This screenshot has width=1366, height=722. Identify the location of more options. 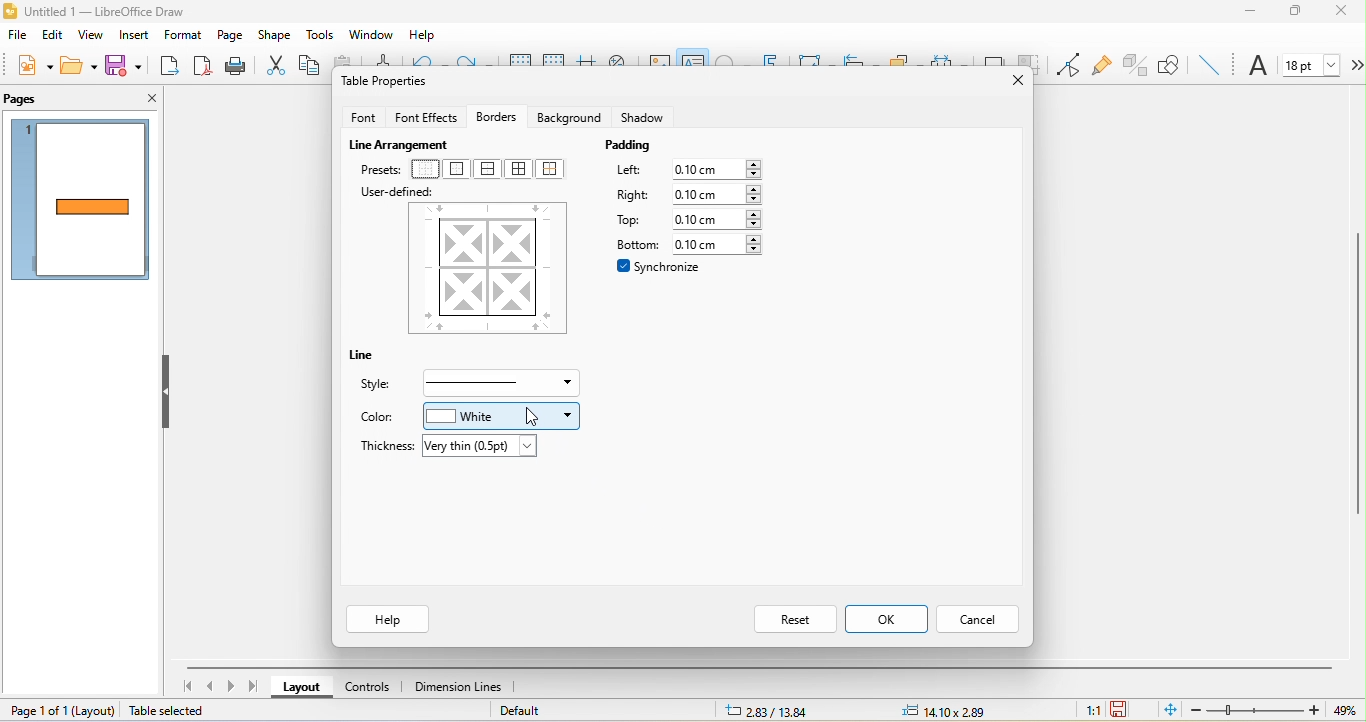
(1357, 66).